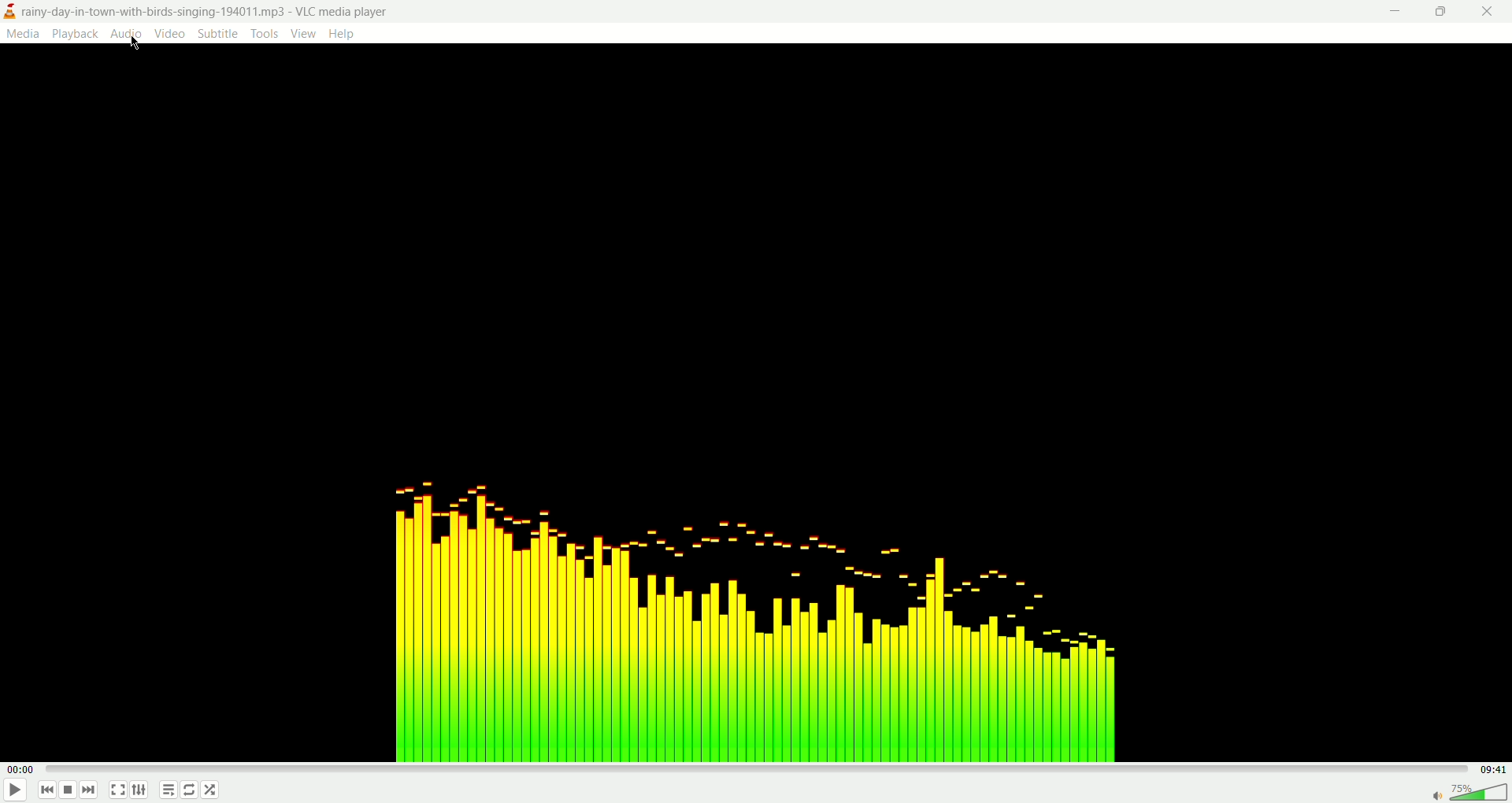 The height and width of the screenshot is (803, 1512). What do you see at coordinates (1395, 13) in the screenshot?
I see `minimize` at bounding box center [1395, 13].